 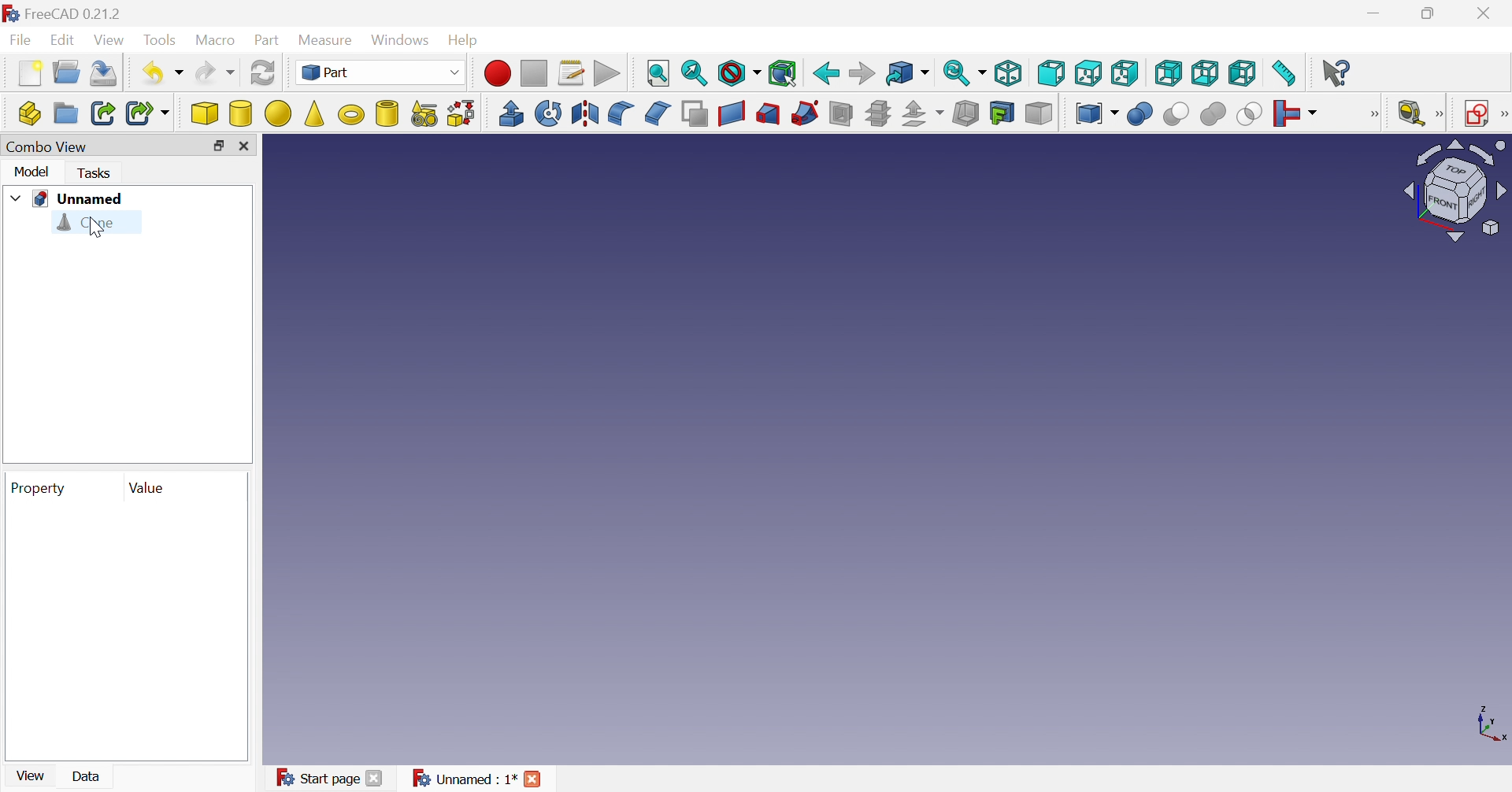 I want to click on Cross-sections, so click(x=878, y=113).